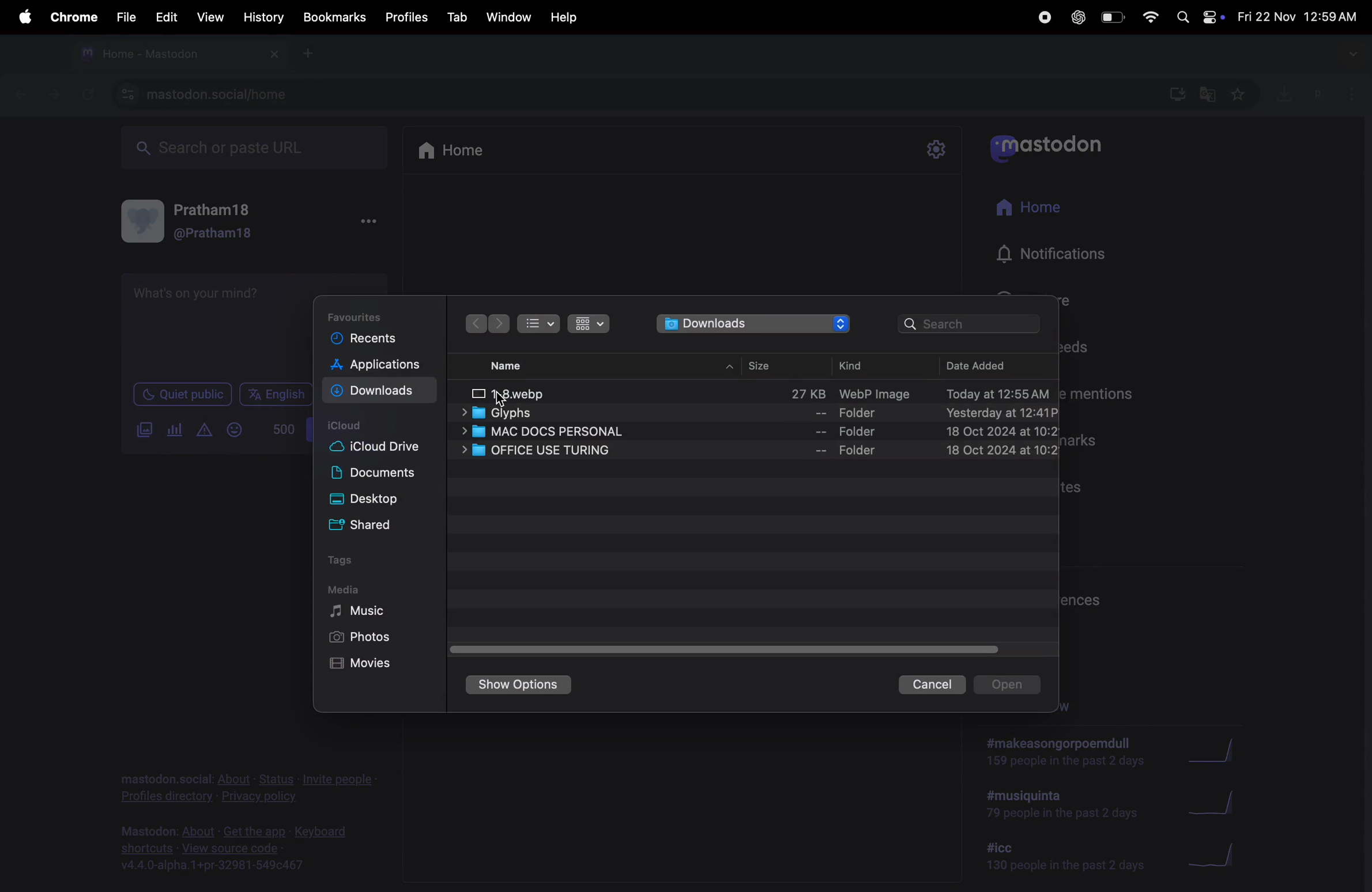 The width and height of the screenshot is (1372, 892). What do you see at coordinates (1348, 91) in the screenshot?
I see `options` at bounding box center [1348, 91].